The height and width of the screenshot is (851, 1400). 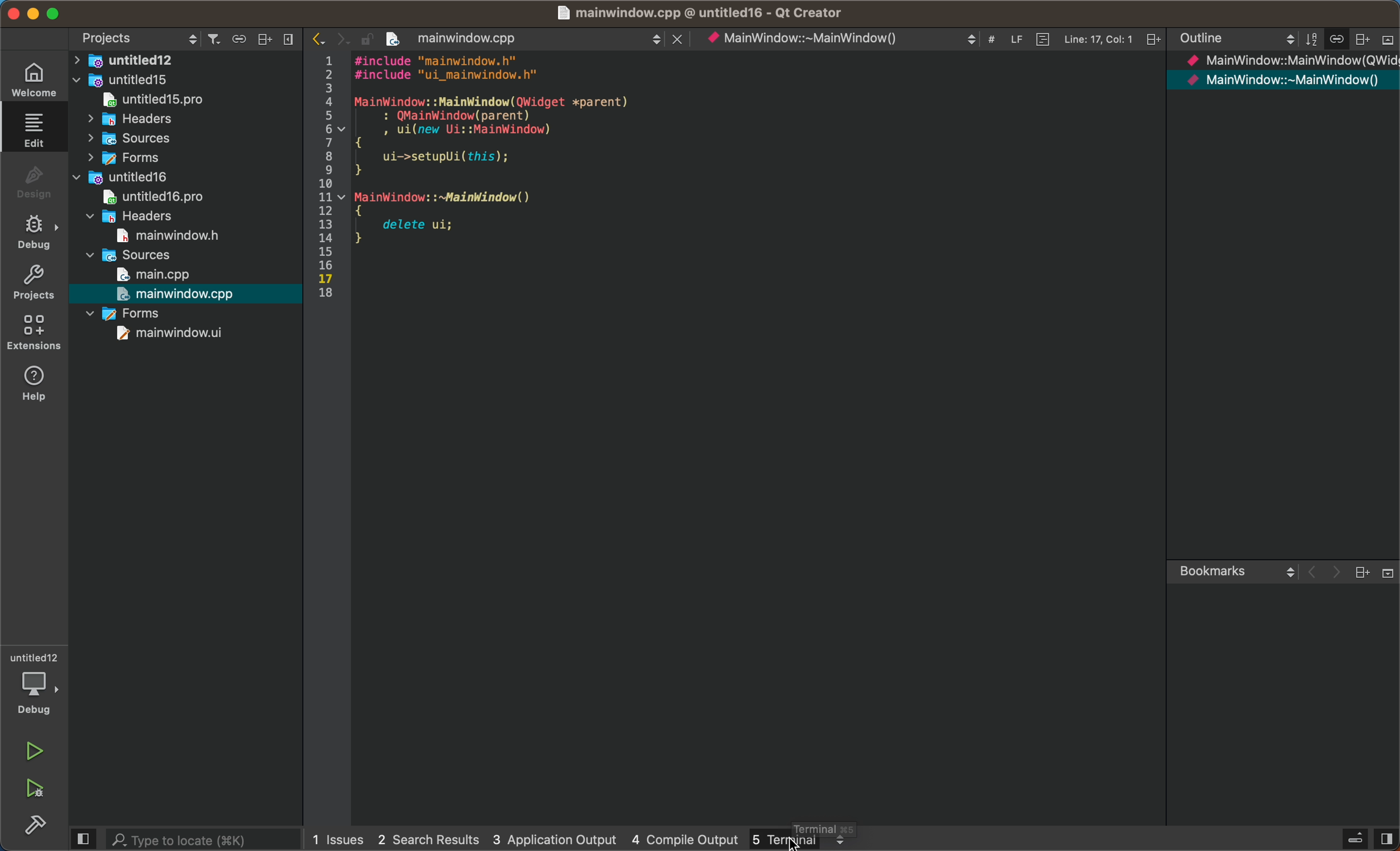 What do you see at coordinates (82, 838) in the screenshot?
I see `open side panel` at bounding box center [82, 838].